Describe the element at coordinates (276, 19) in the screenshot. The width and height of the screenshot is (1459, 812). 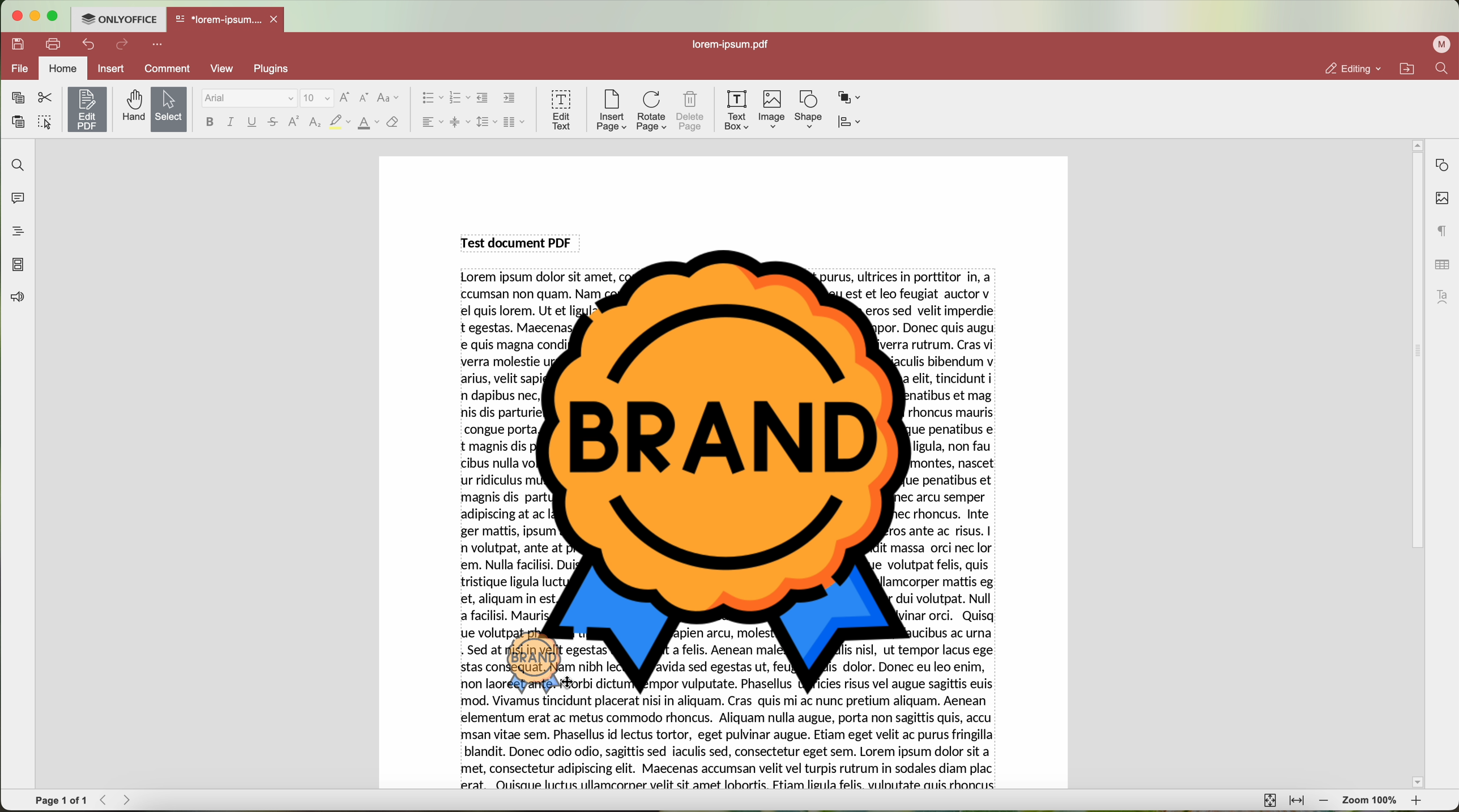
I see `close` at that location.